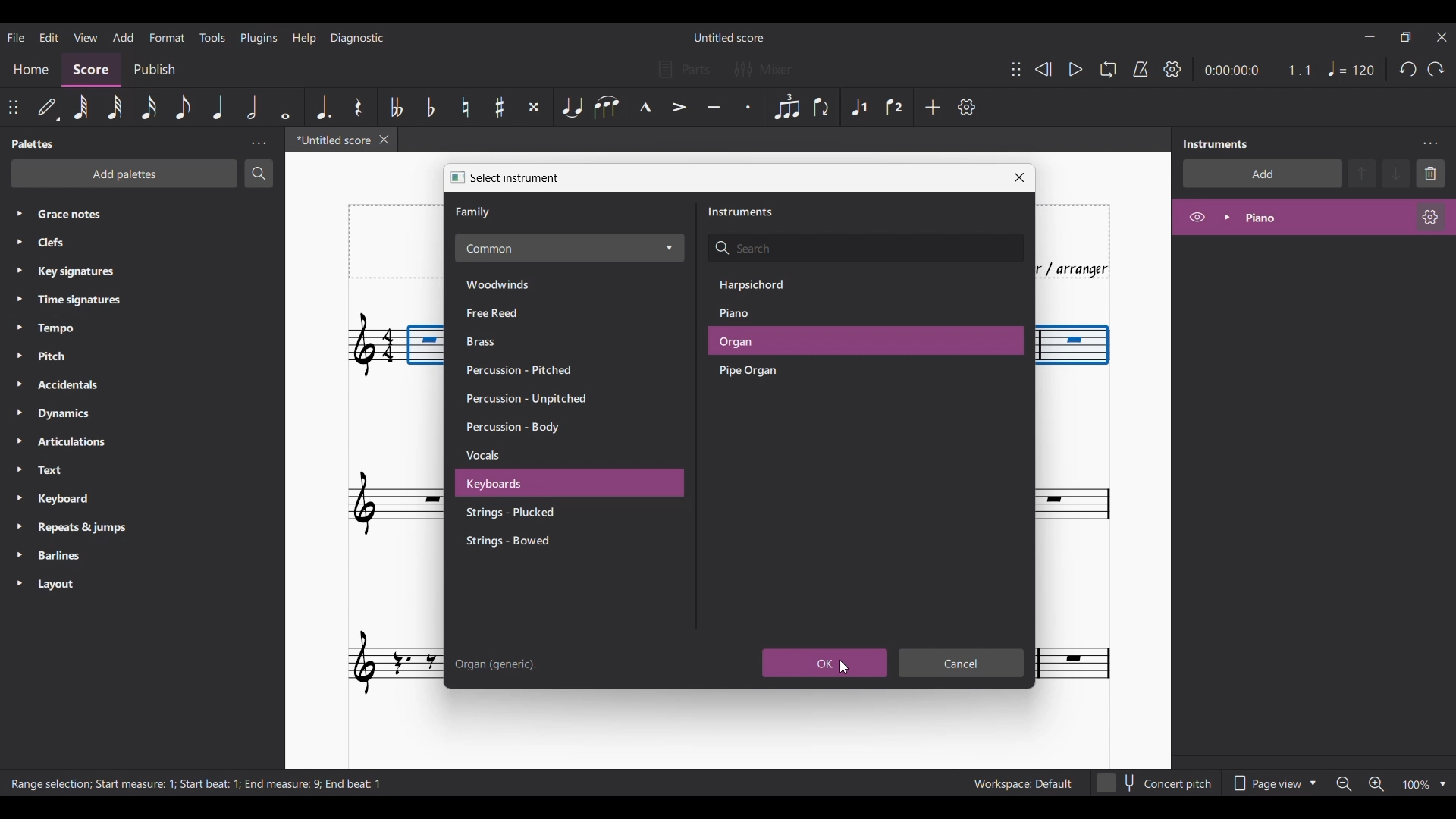 This screenshot has height=819, width=1456. What do you see at coordinates (397, 107) in the screenshot?
I see `Toggle double flat` at bounding box center [397, 107].